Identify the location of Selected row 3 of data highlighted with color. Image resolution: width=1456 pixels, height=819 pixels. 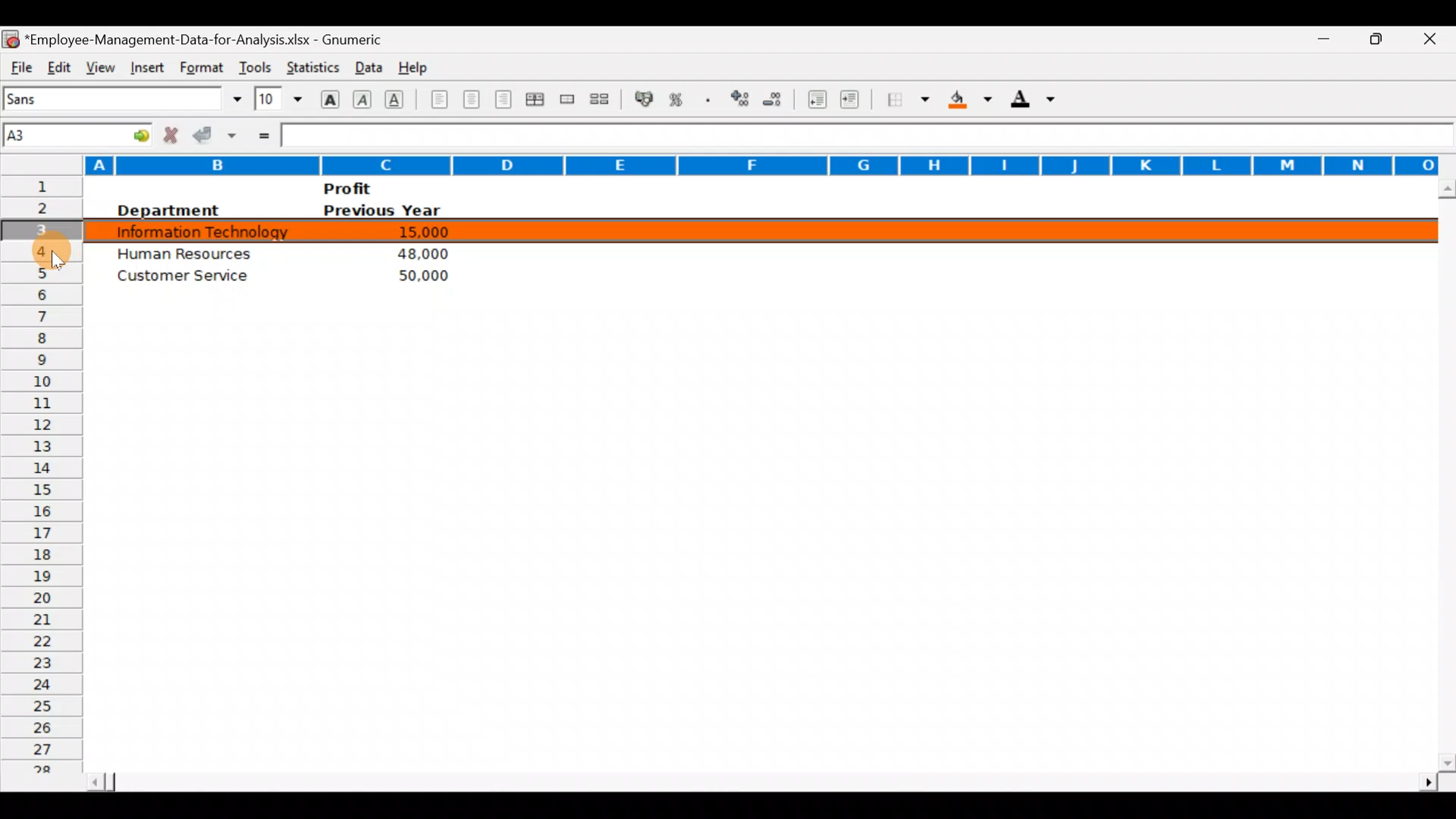
(754, 234).